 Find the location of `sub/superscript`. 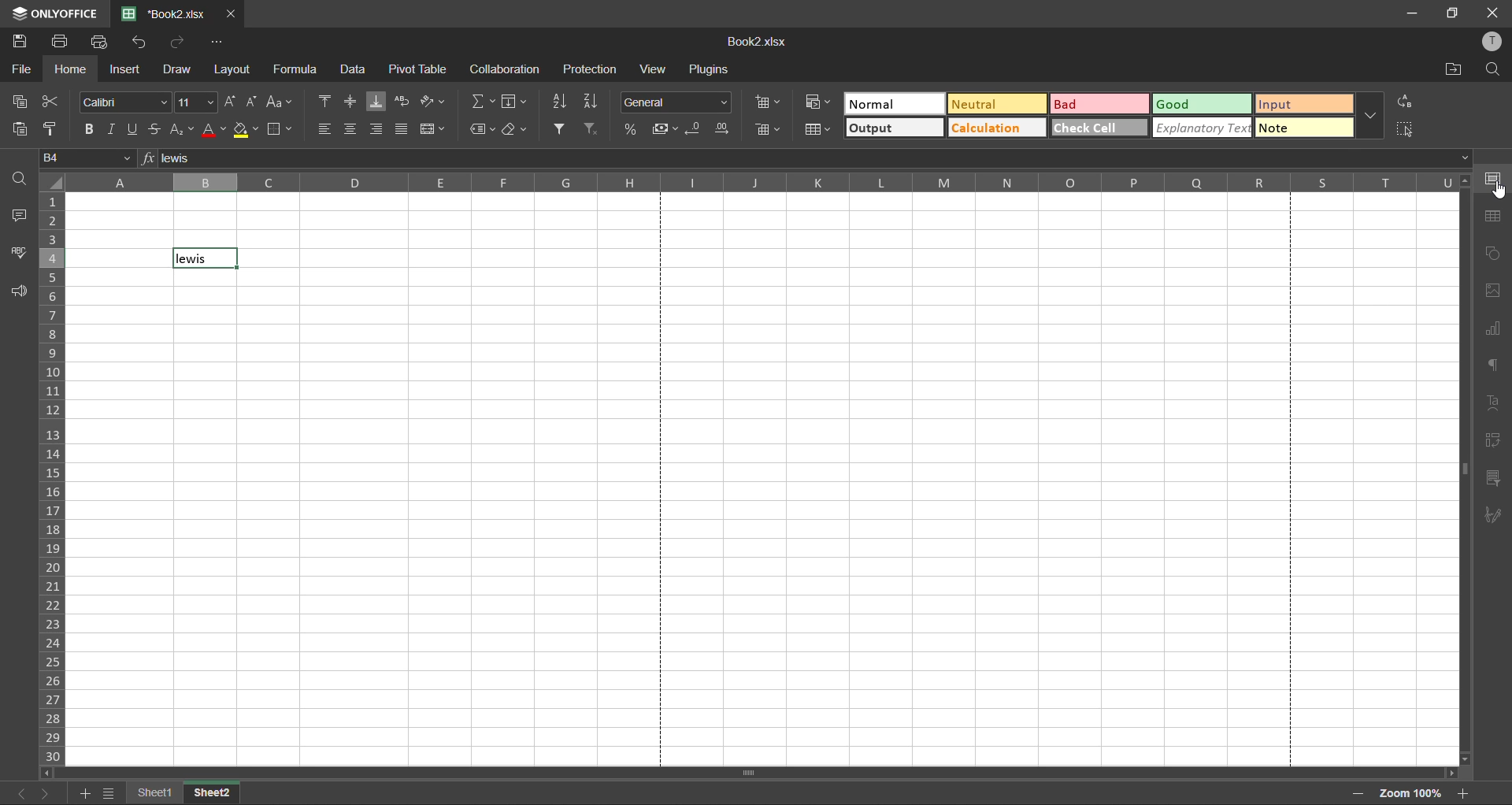

sub/superscript is located at coordinates (182, 131).